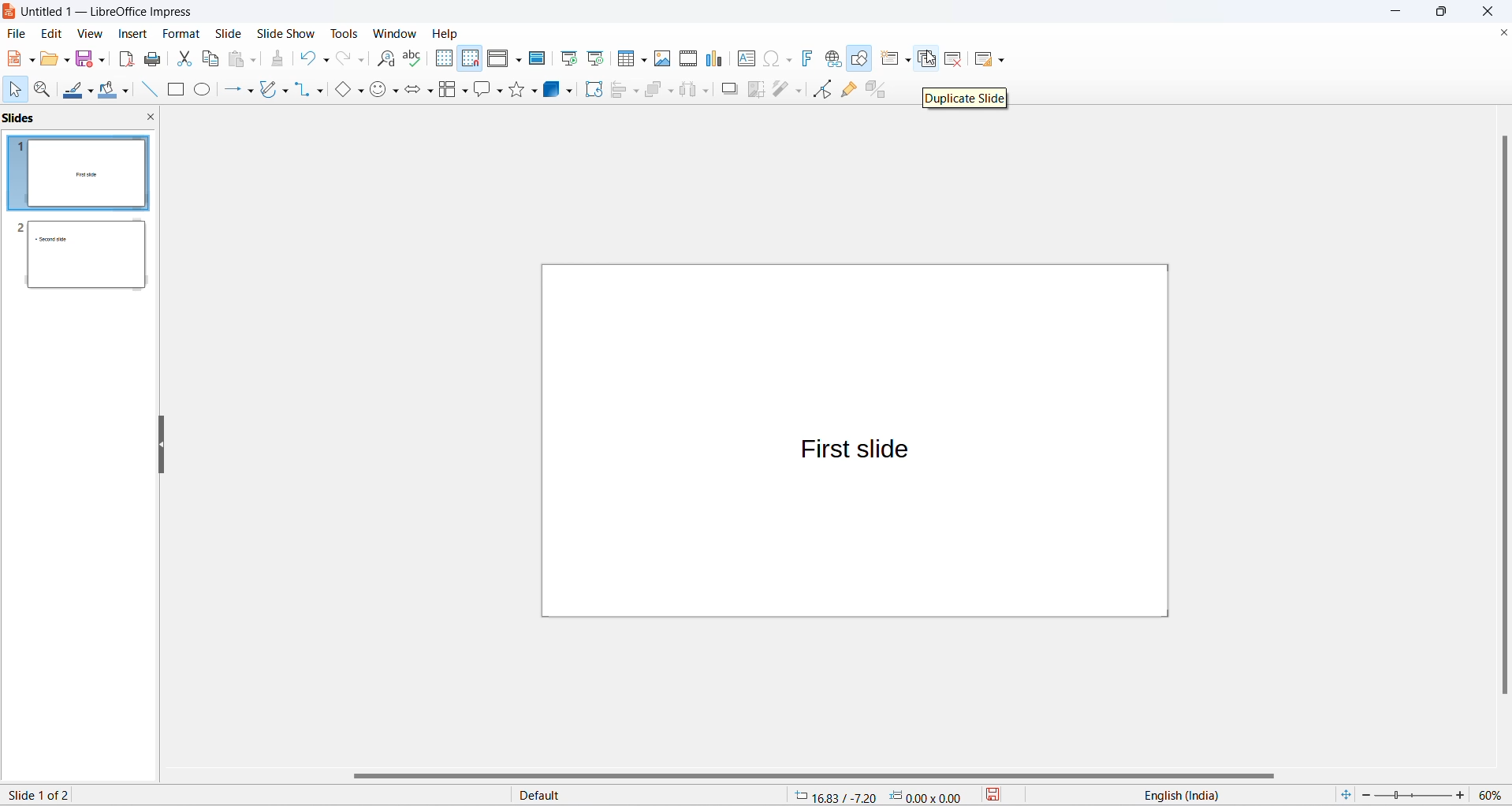 This screenshot has height=806, width=1512. Describe the element at coordinates (365, 56) in the screenshot. I see `redo options` at that location.